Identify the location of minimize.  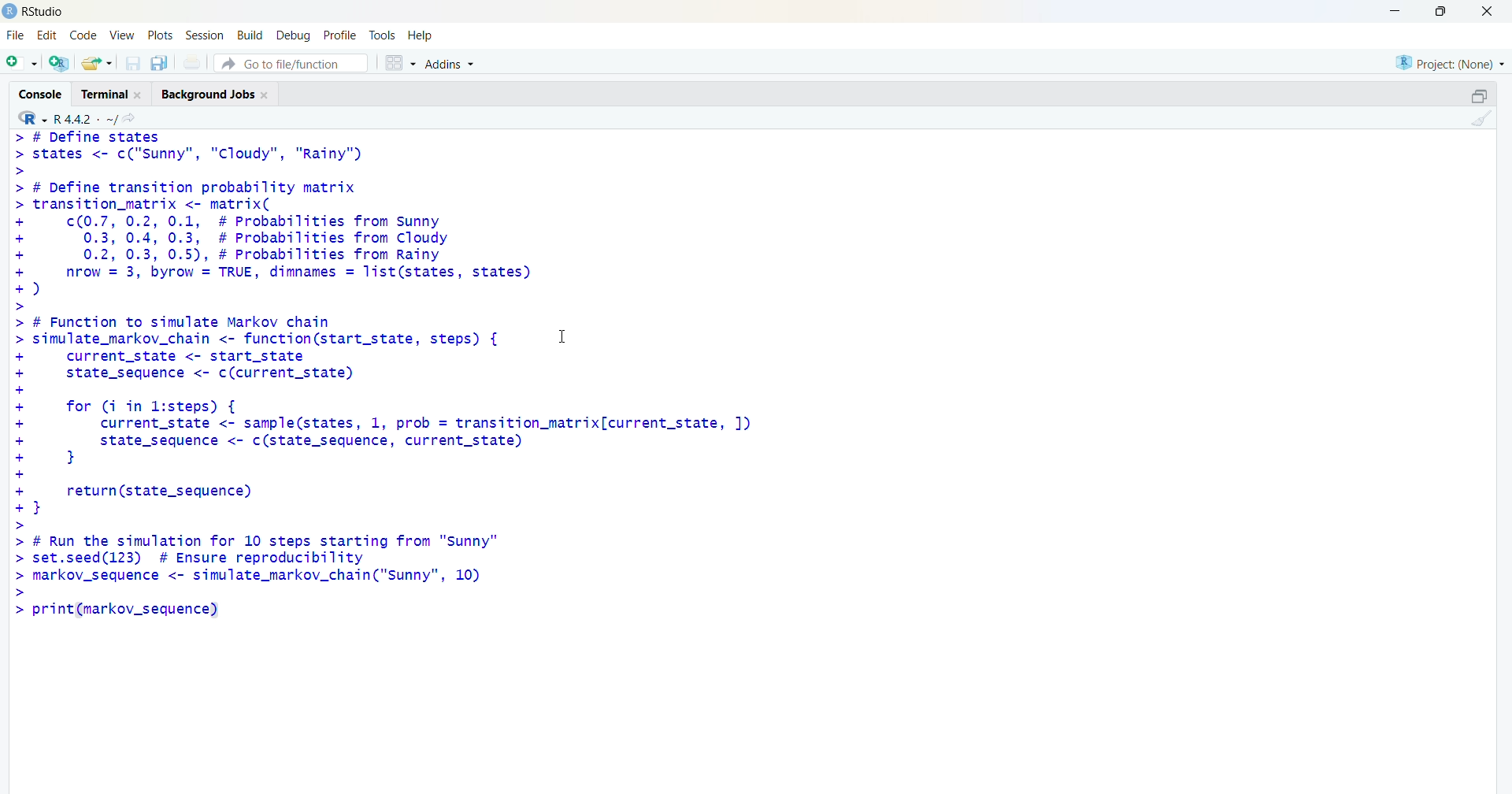
(1392, 11).